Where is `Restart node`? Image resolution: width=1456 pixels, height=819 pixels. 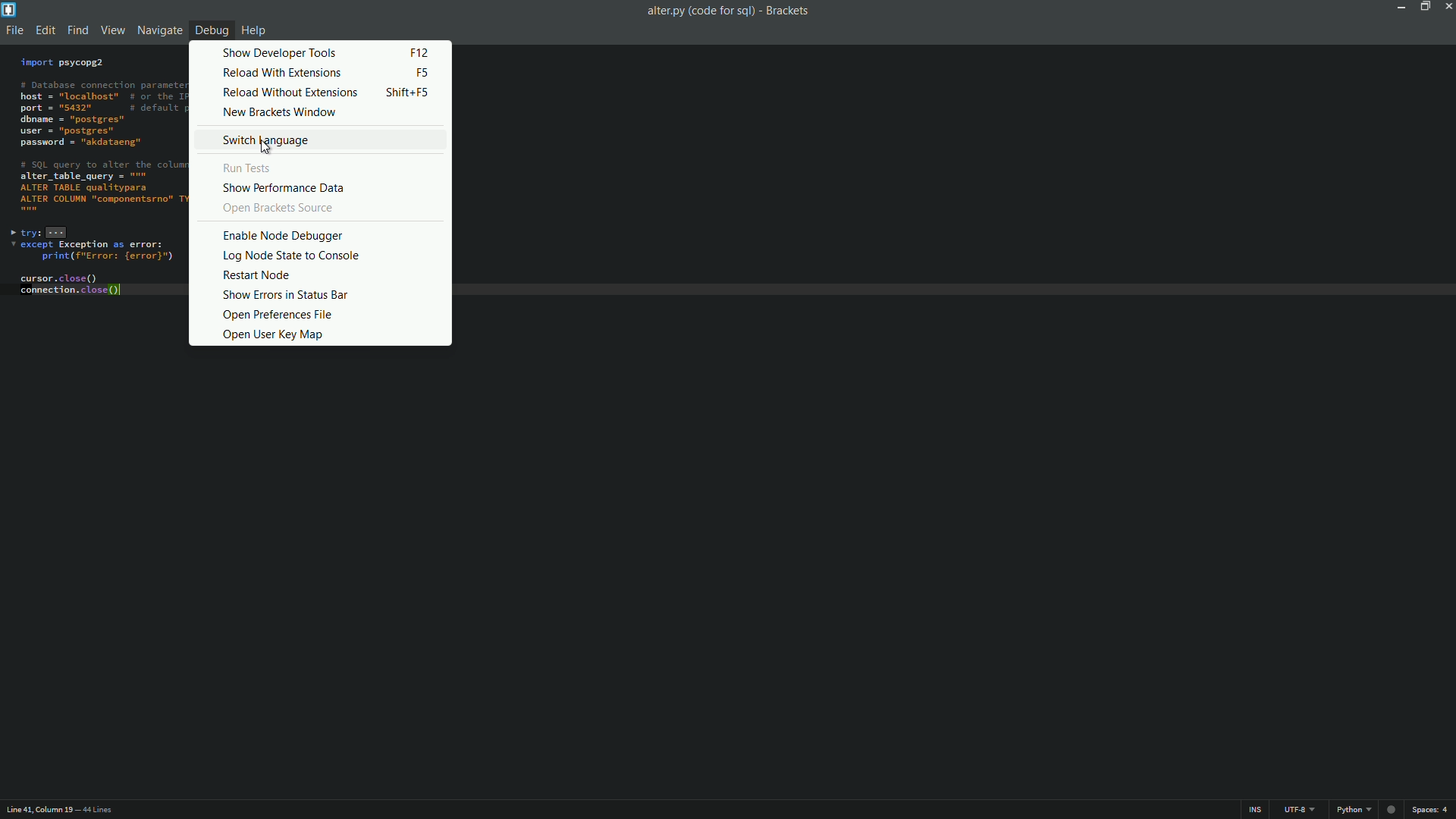 Restart node is located at coordinates (259, 275).